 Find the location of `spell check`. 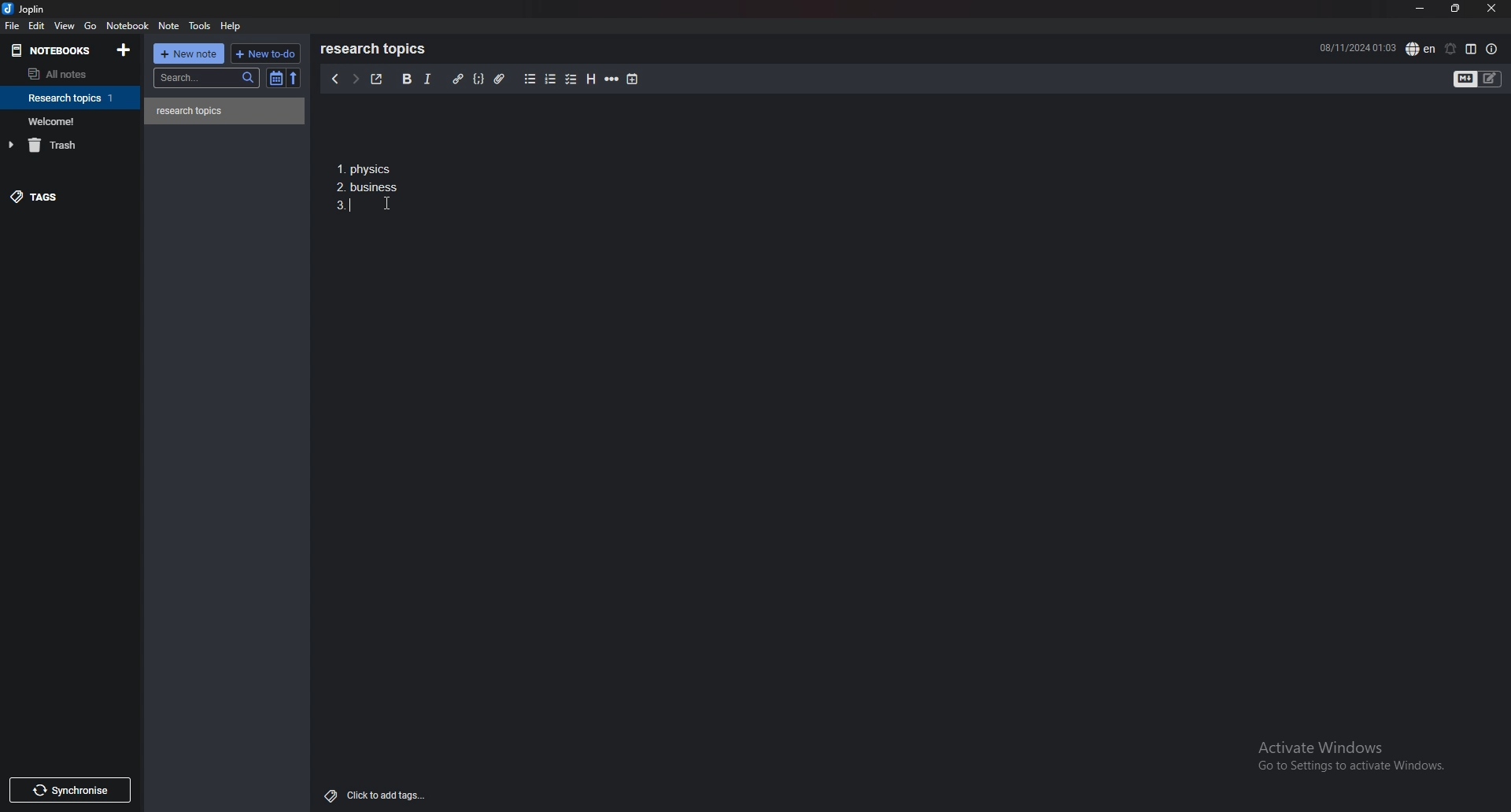

spell check is located at coordinates (1420, 48).